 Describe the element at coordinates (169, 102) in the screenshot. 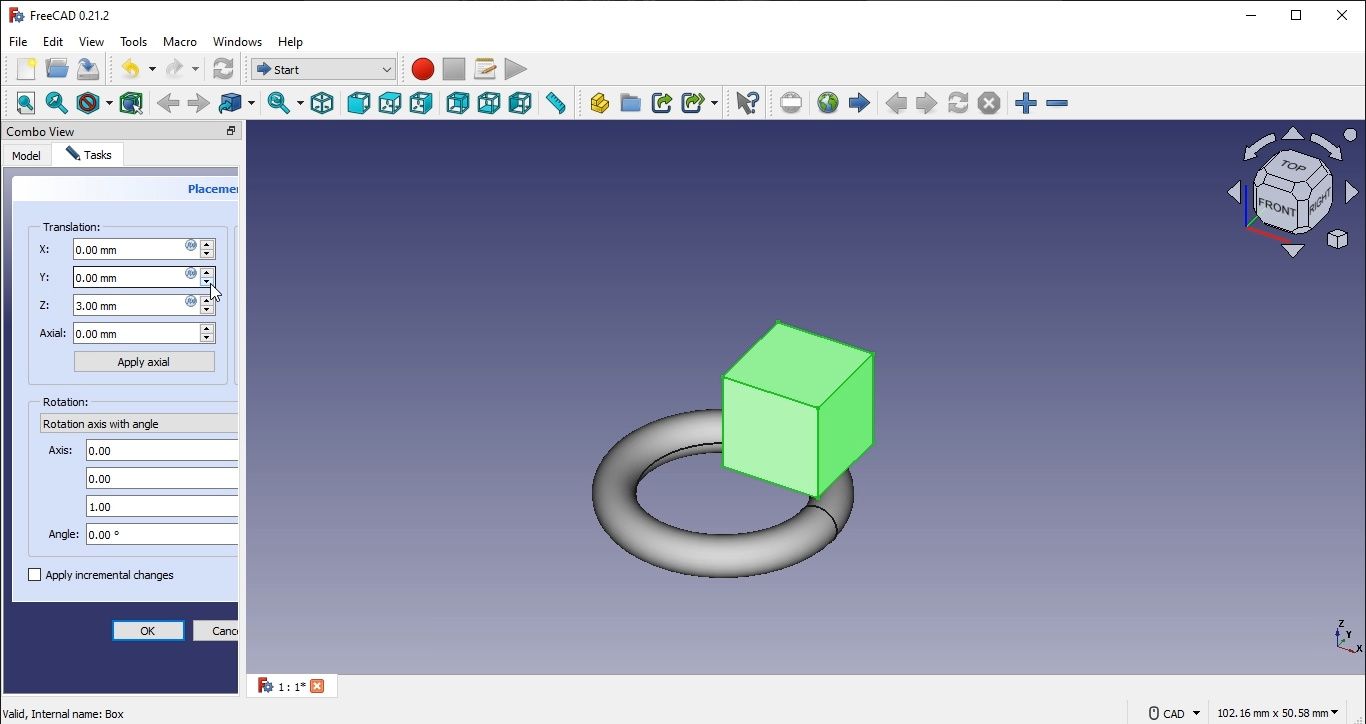

I see `backward` at that location.